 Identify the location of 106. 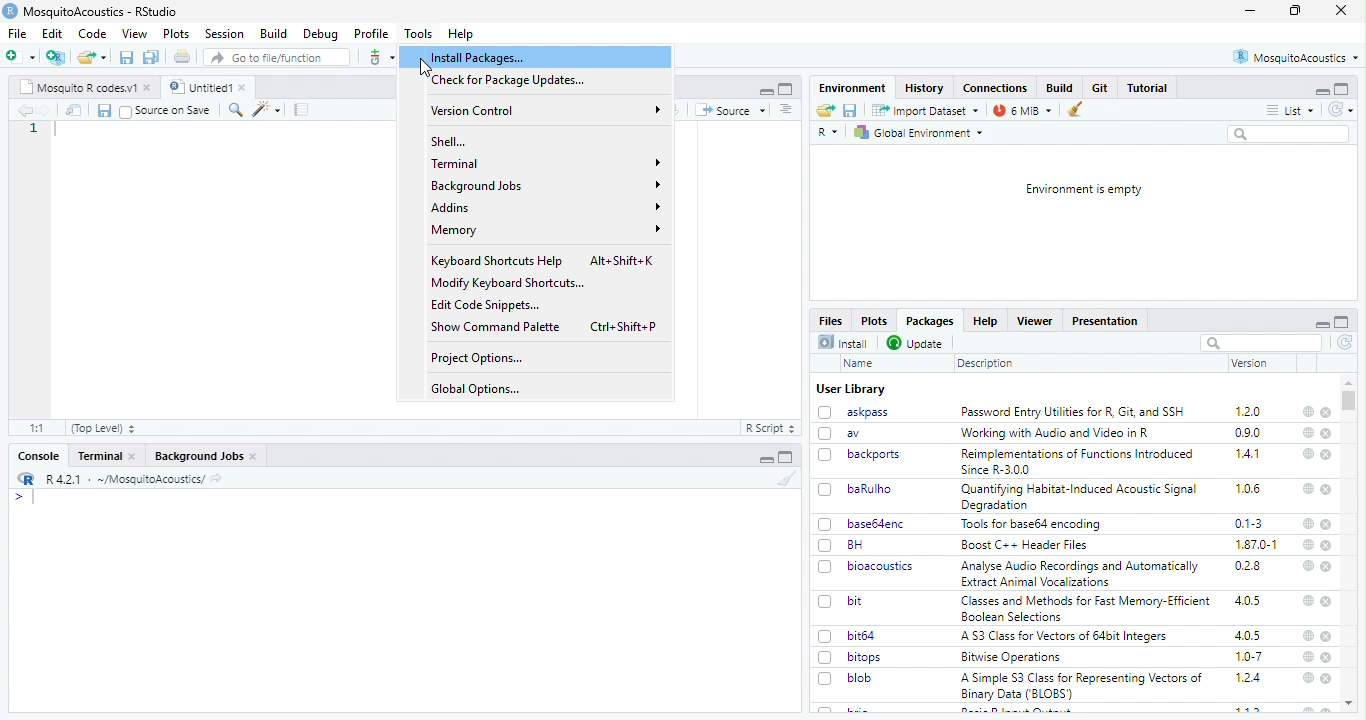
(1248, 489).